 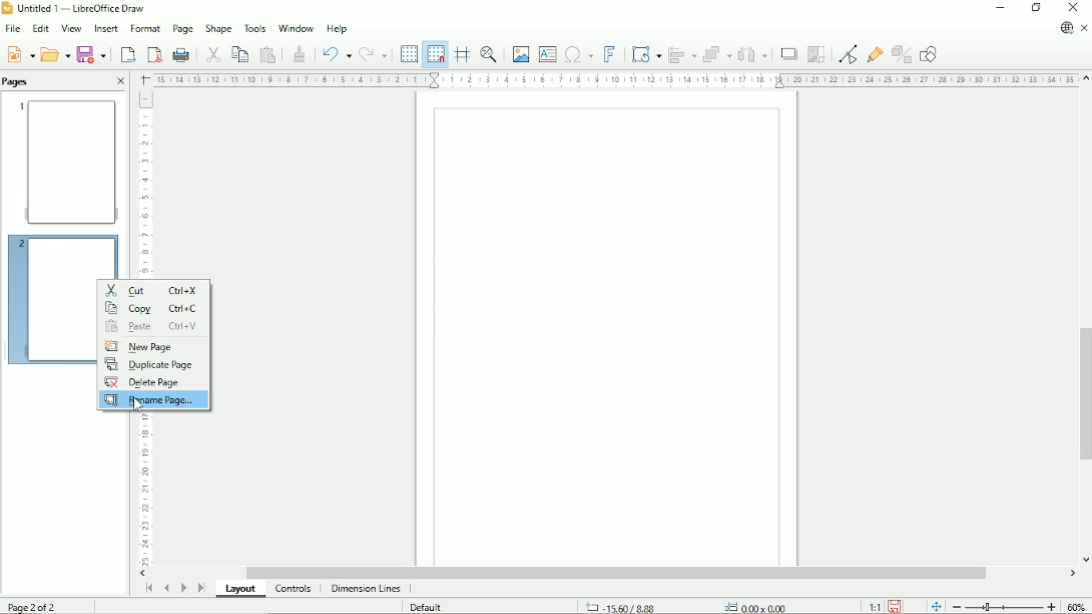 I want to click on Show gluepoint functions, so click(x=875, y=54).